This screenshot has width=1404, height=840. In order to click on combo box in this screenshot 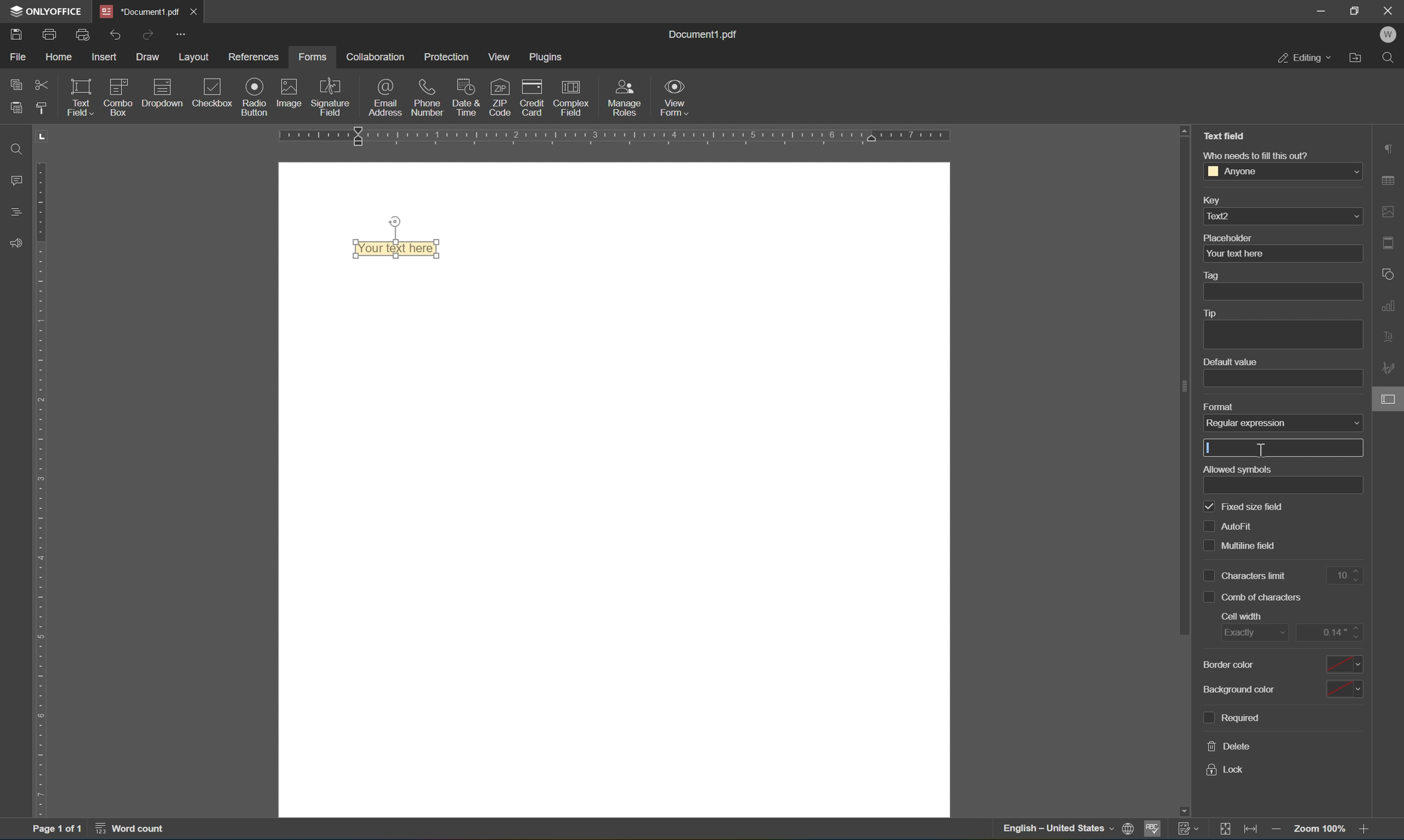, I will do `click(119, 98)`.